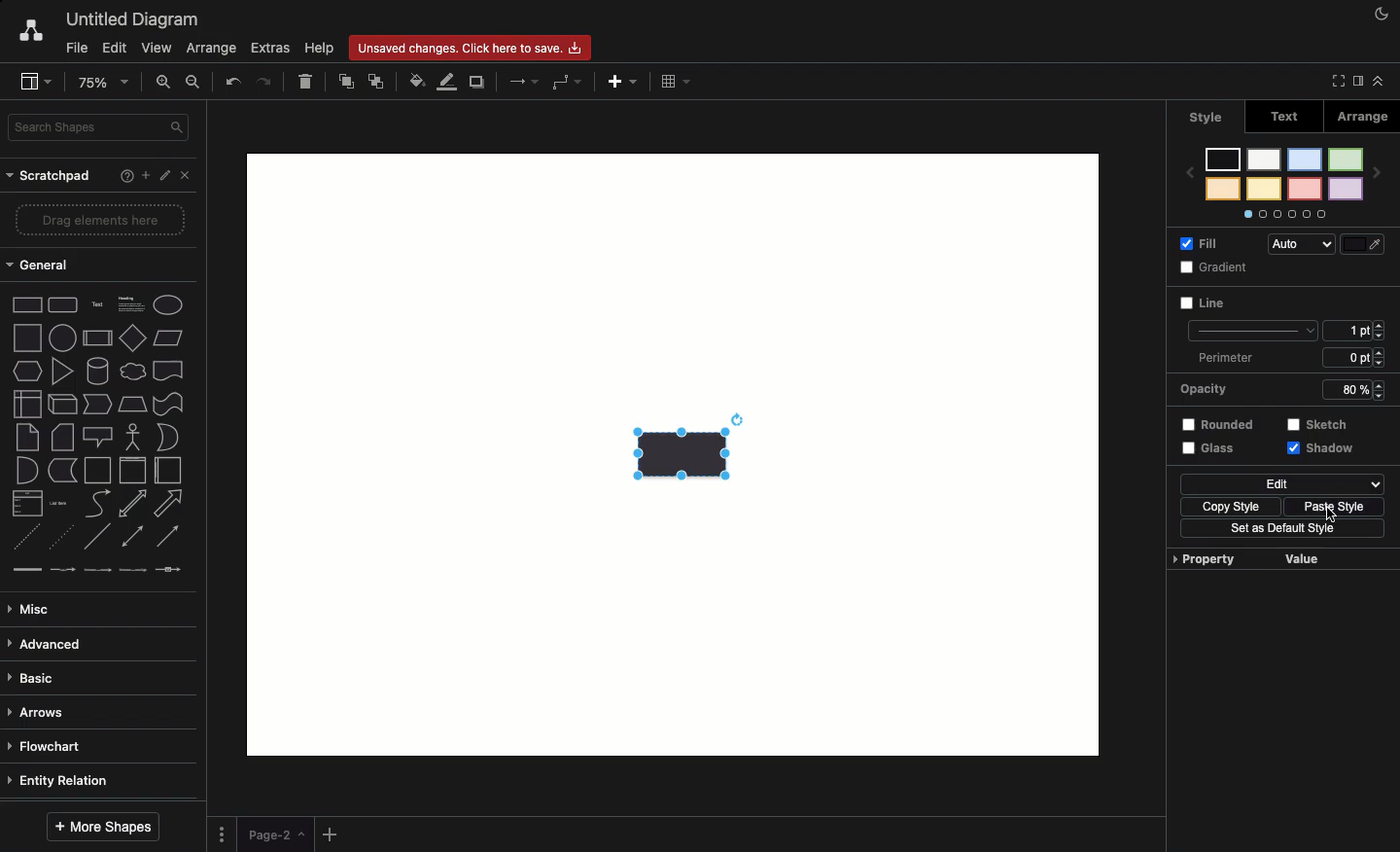 The image size is (1400, 852). Describe the element at coordinates (102, 126) in the screenshot. I see `Search in shapes` at that location.